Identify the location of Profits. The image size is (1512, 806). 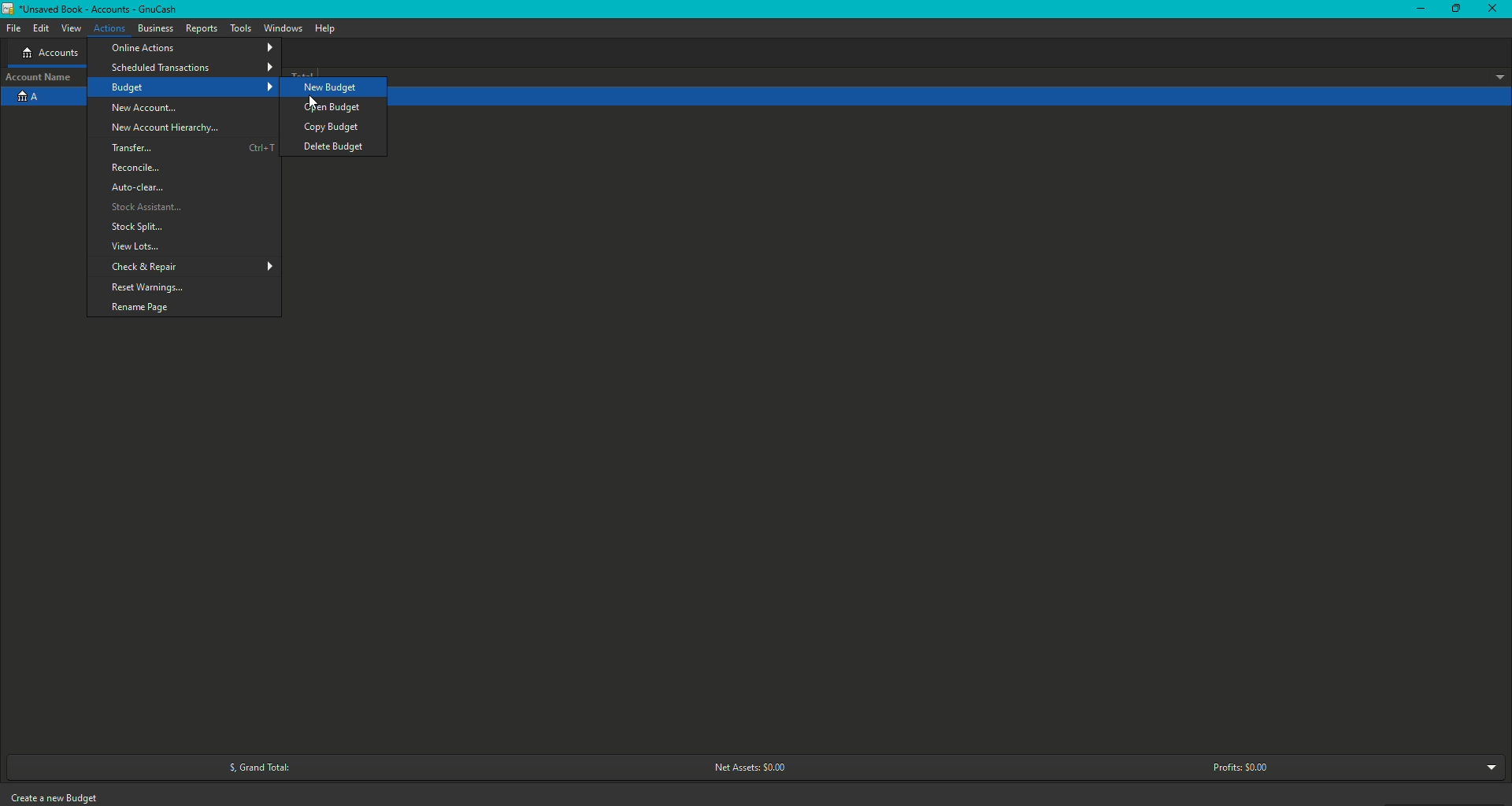
(1245, 767).